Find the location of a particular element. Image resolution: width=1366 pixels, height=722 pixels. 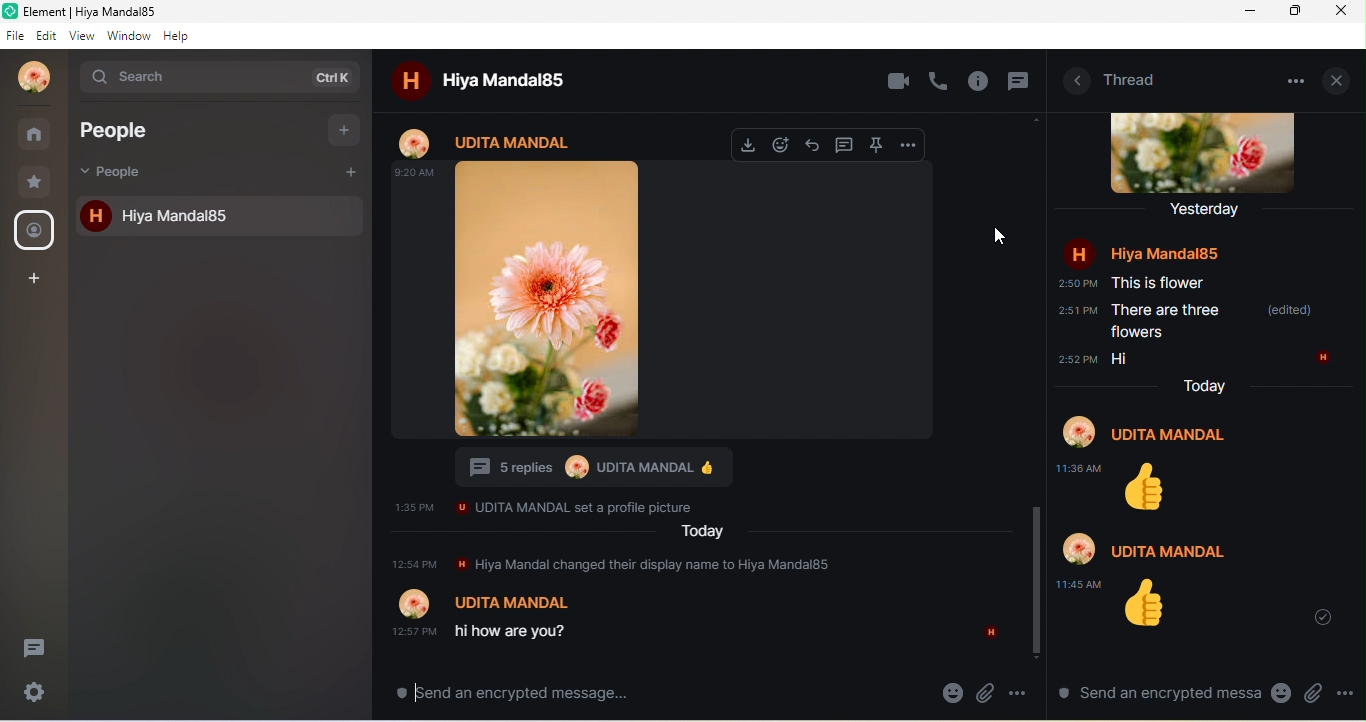

thread is located at coordinates (848, 148).